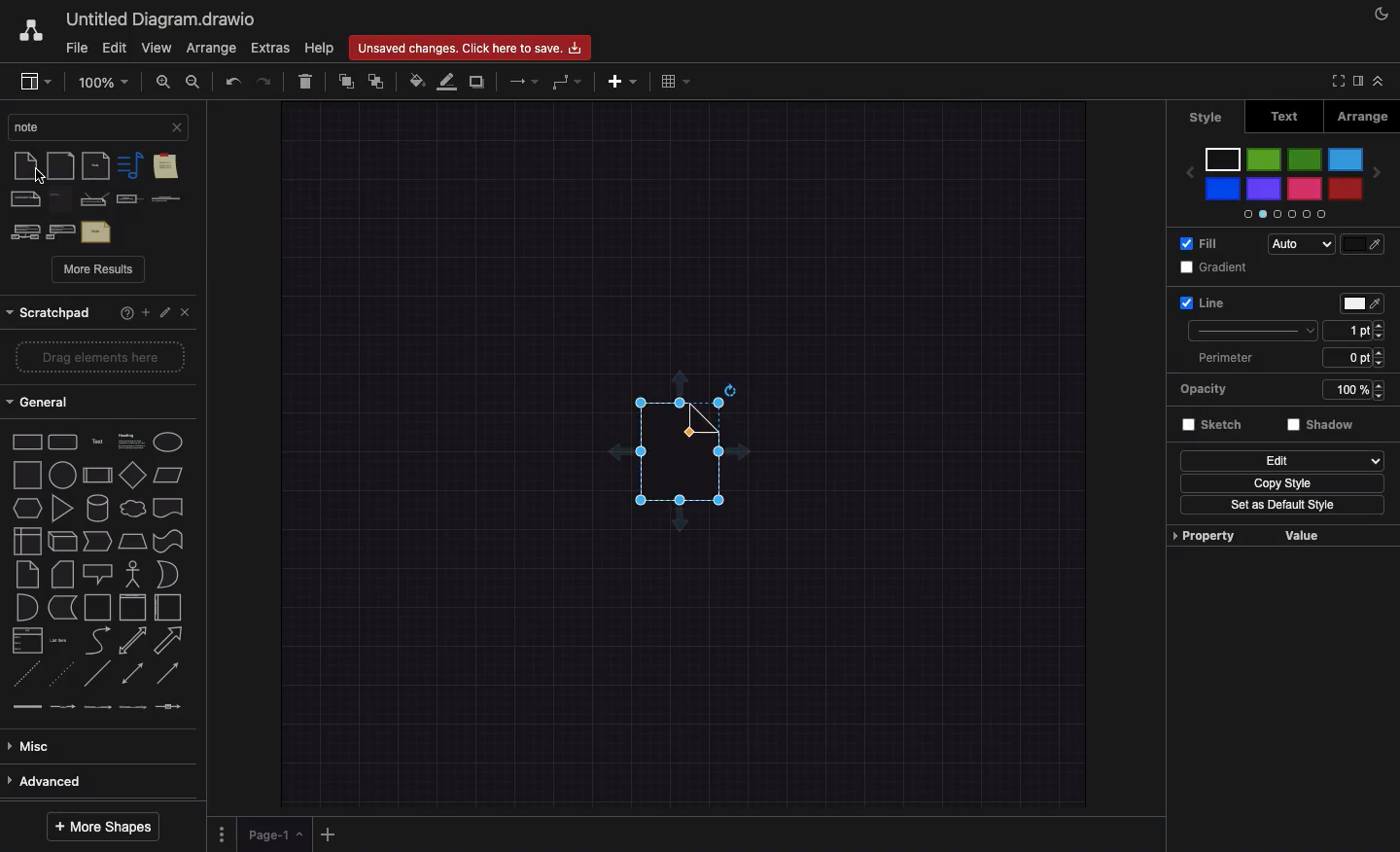  What do you see at coordinates (61, 574) in the screenshot?
I see `card` at bounding box center [61, 574].